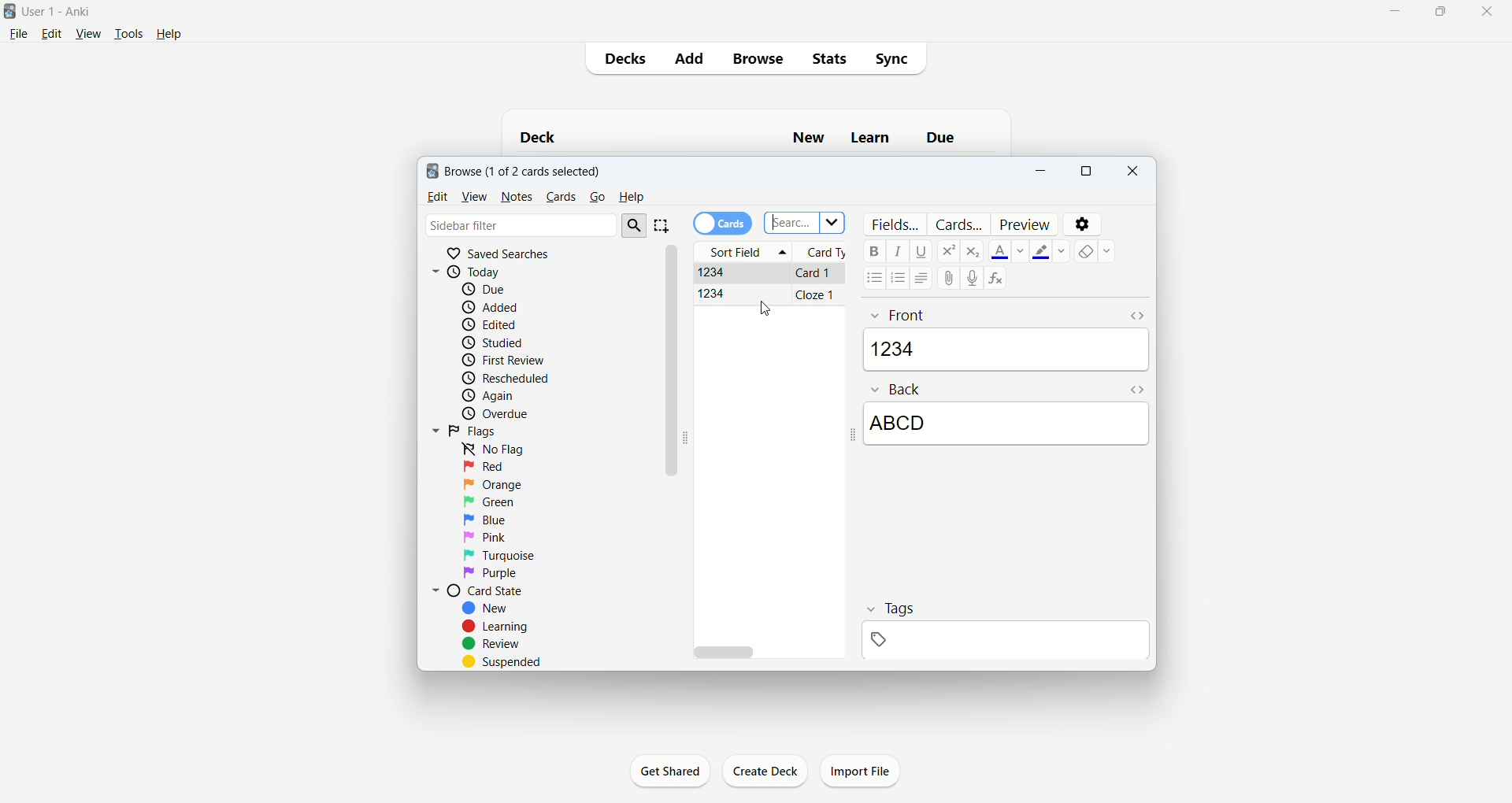 This screenshot has width=1512, height=803. Describe the element at coordinates (821, 250) in the screenshot. I see `card type` at that location.